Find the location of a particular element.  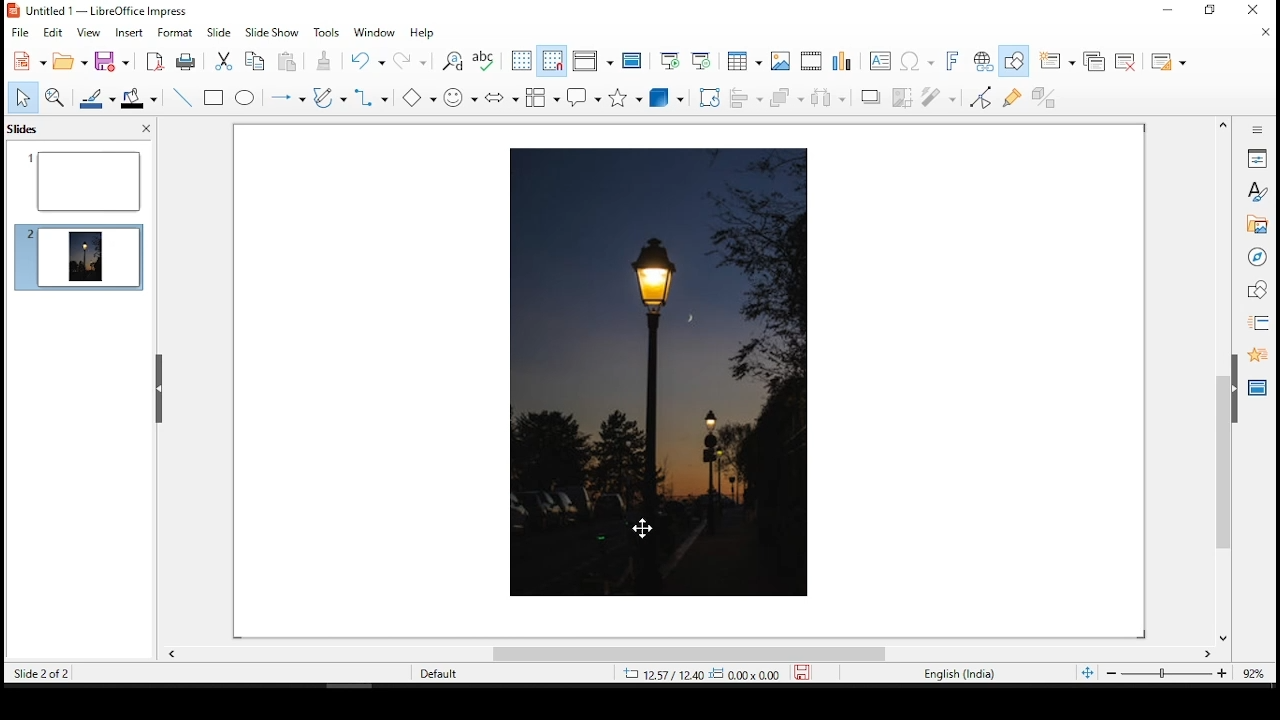

3D objects is located at coordinates (665, 99).